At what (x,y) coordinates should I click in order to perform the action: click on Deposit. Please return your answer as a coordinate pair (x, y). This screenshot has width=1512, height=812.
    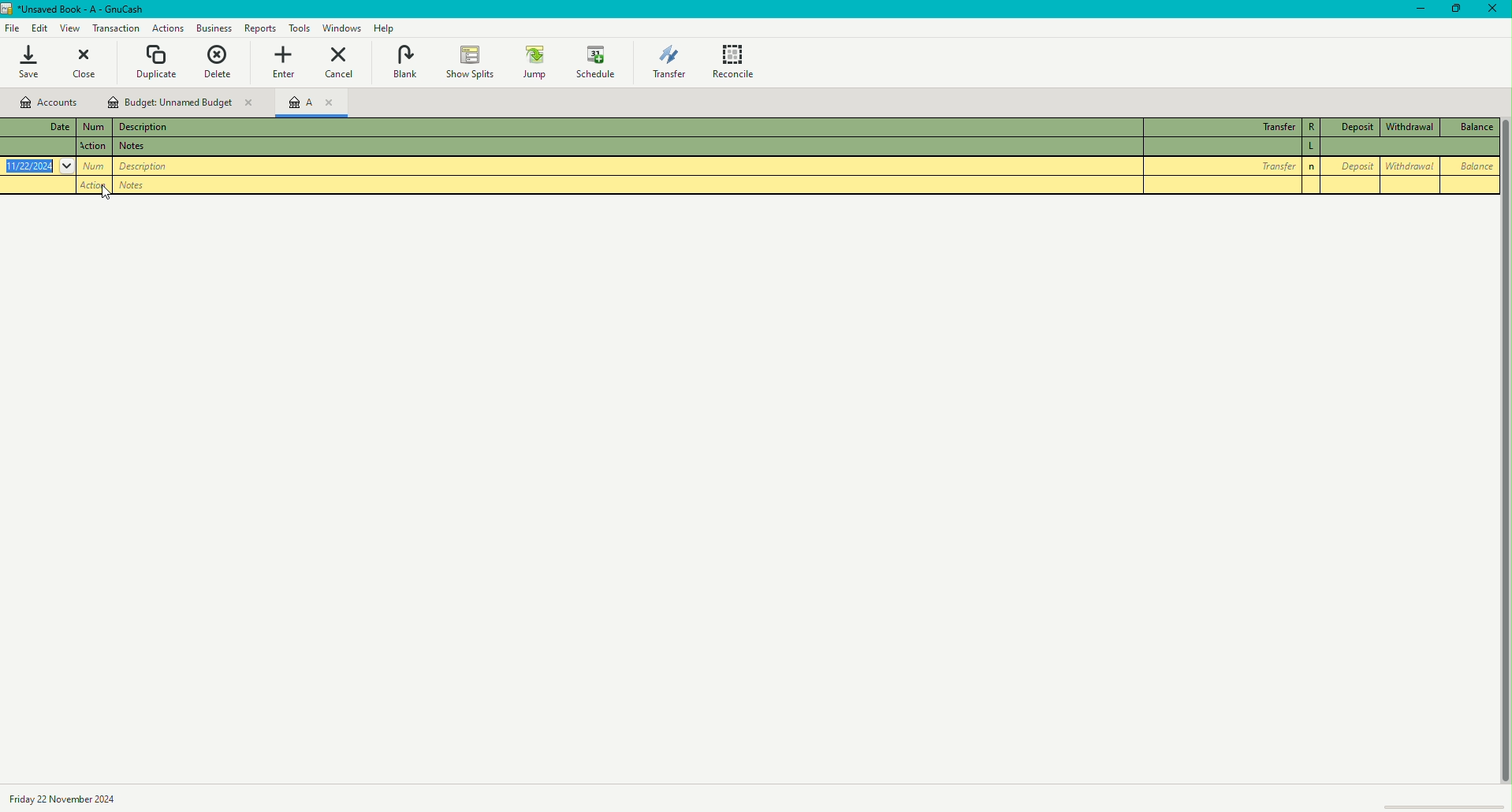
    Looking at the image, I should click on (1353, 166).